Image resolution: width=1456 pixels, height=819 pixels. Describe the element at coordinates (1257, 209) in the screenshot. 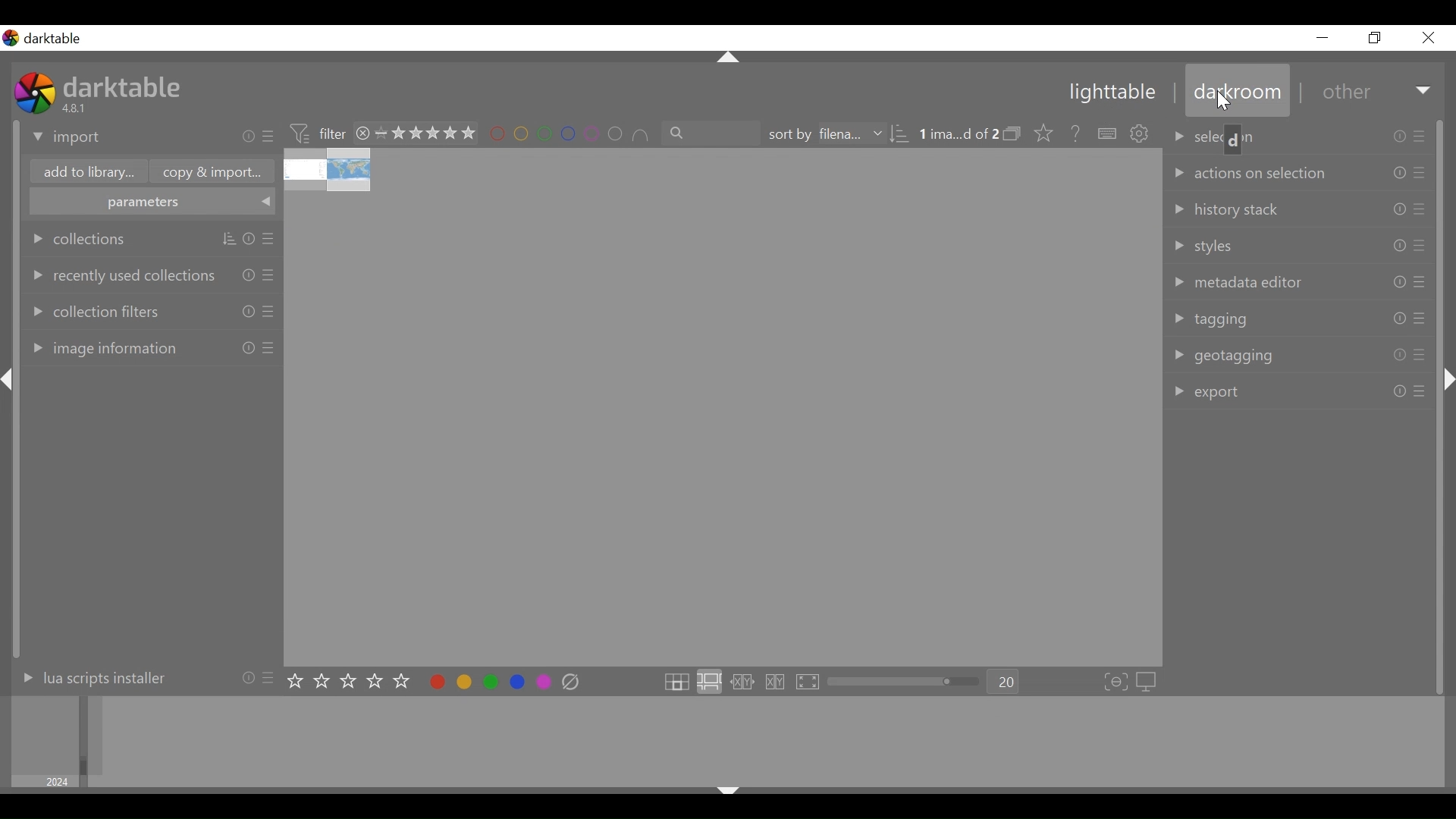

I see `history stack` at that location.